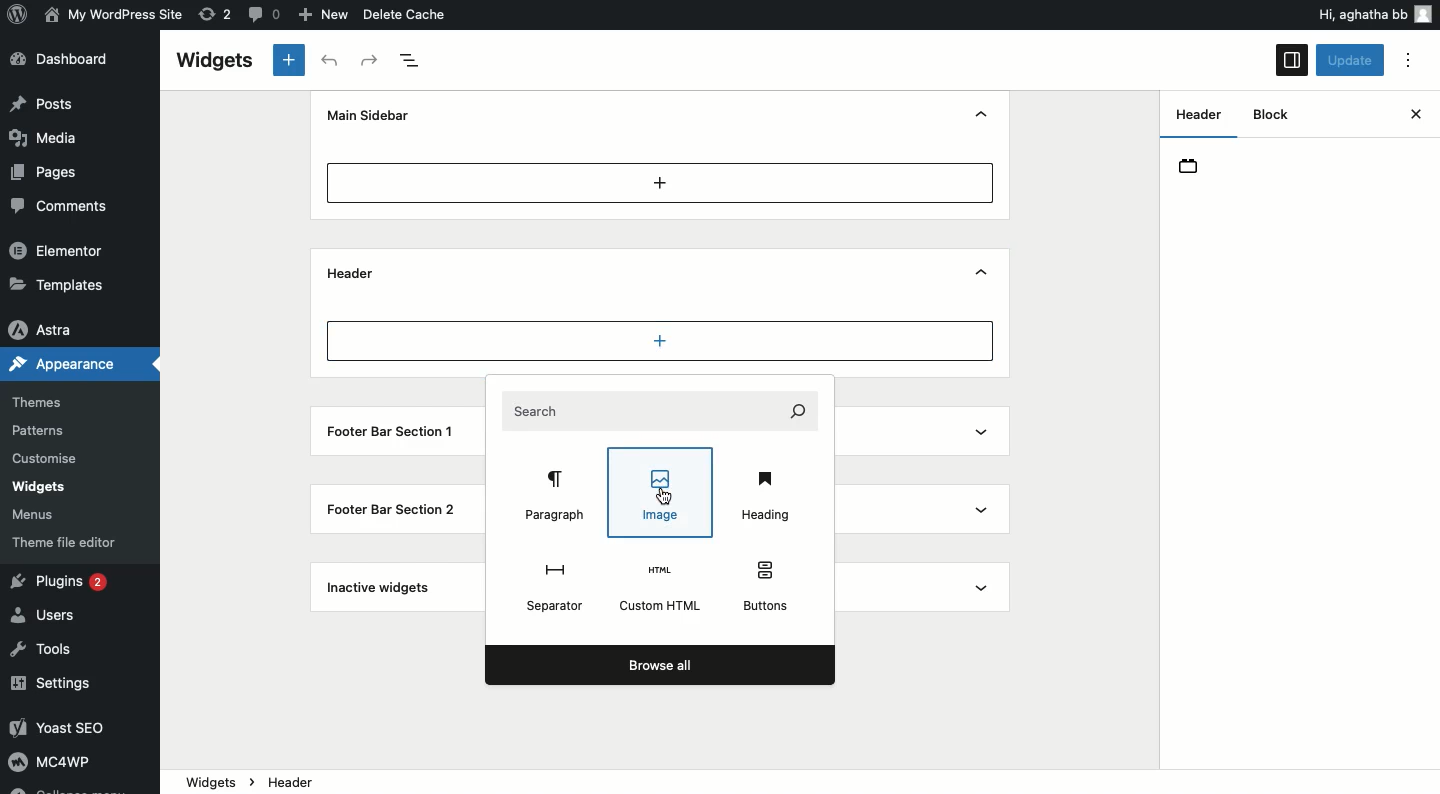 This screenshot has width=1440, height=794. What do you see at coordinates (116, 13) in the screenshot?
I see `Name` at bounding box center [116, 13].